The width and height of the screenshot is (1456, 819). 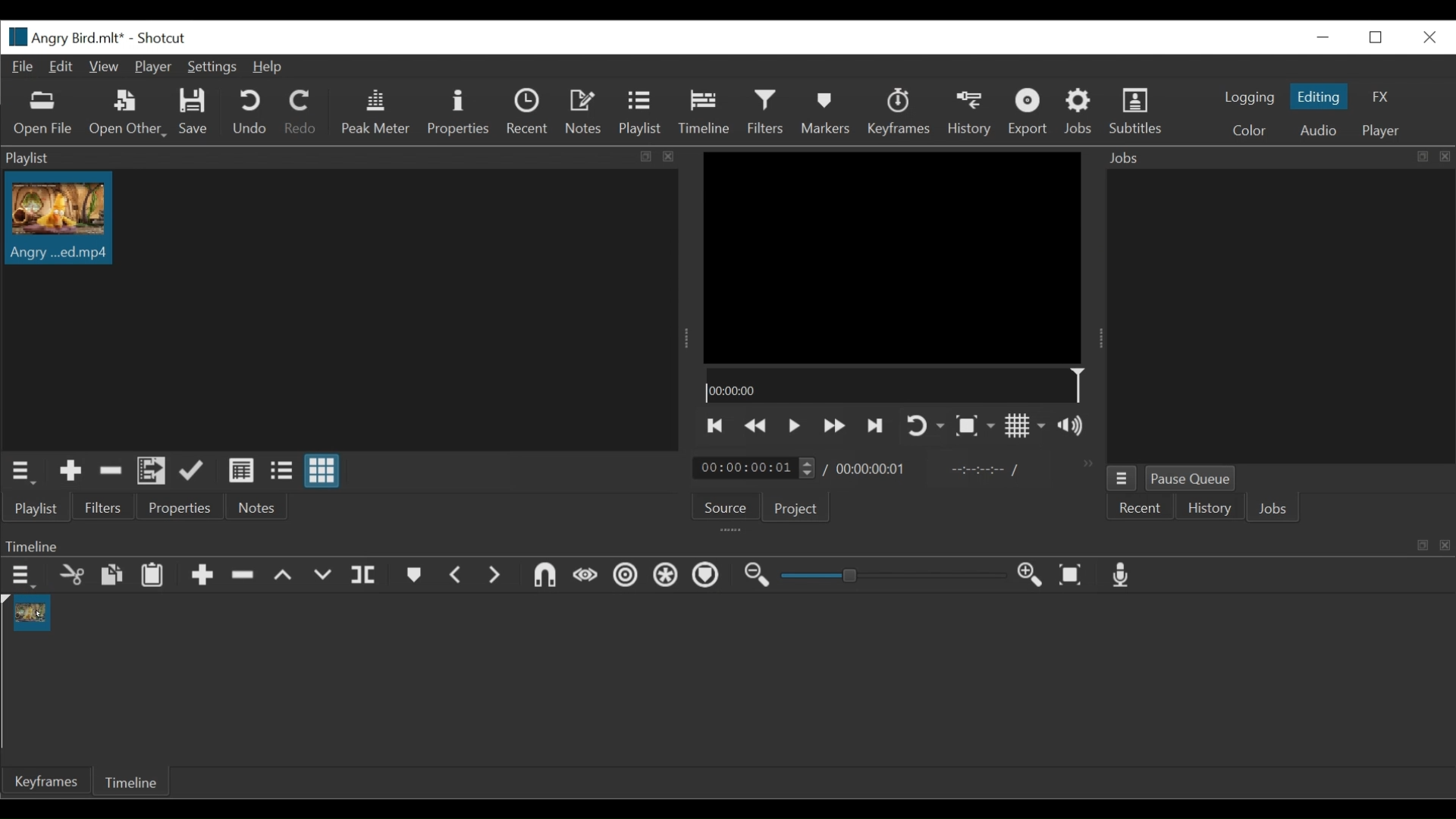 I want to click on Ripple all tracks, so click(x=667, y=576).